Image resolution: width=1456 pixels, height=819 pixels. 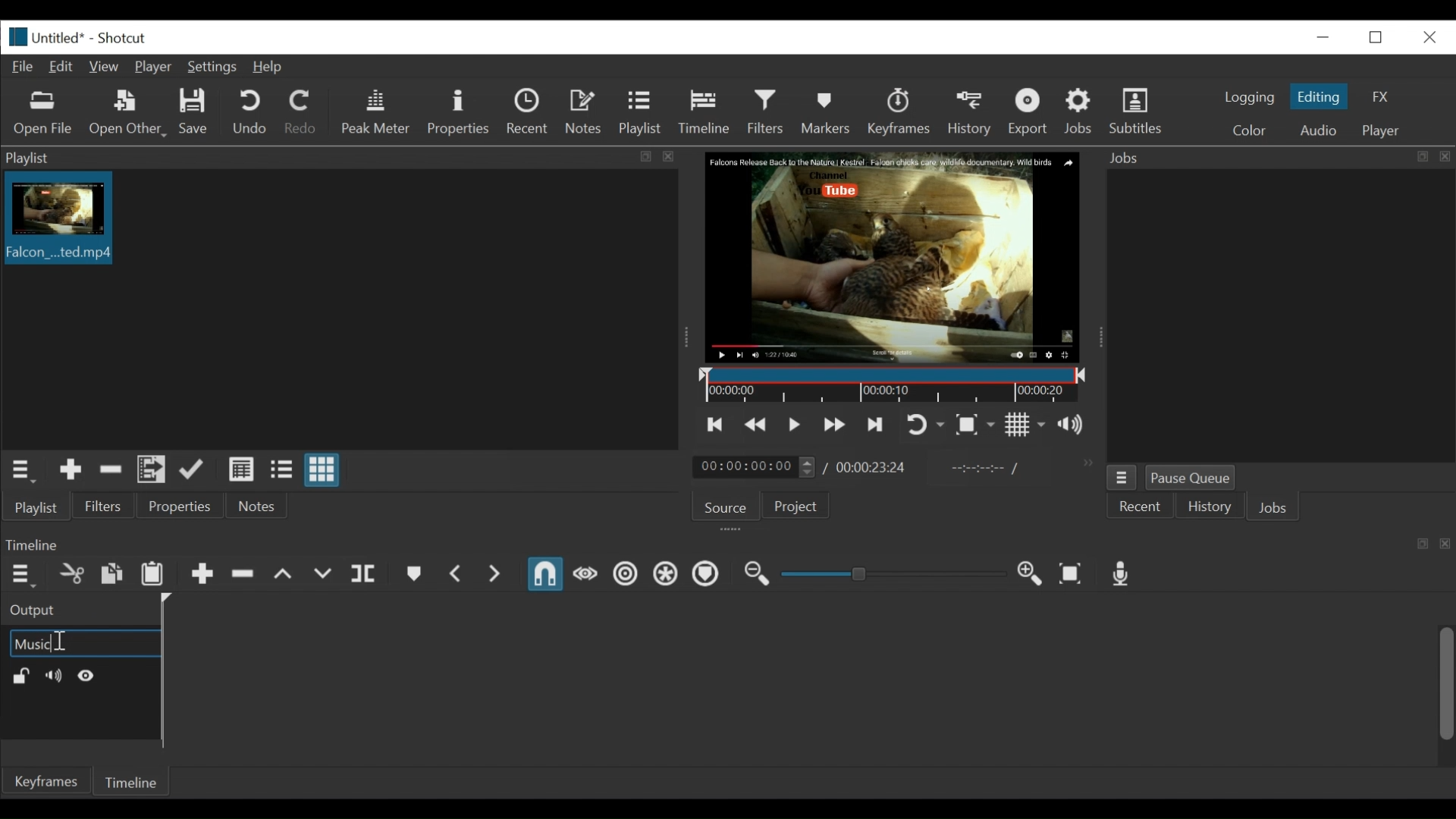 What do you see at coordinates (893, 573) in the screenshot?
I see `Adjust Zoom Slider` at bounding box center [893, 573].